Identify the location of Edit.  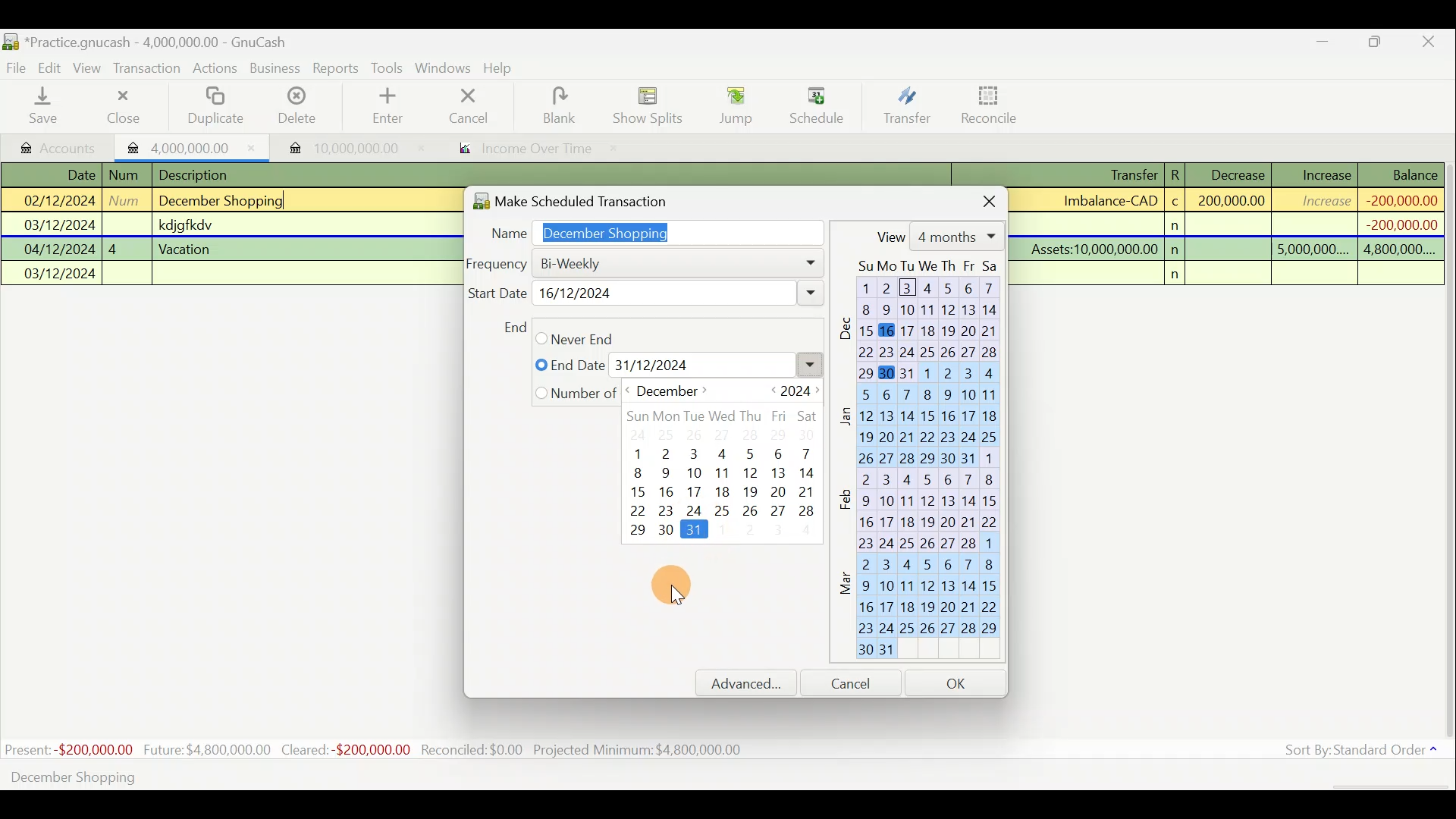
(52, 67).